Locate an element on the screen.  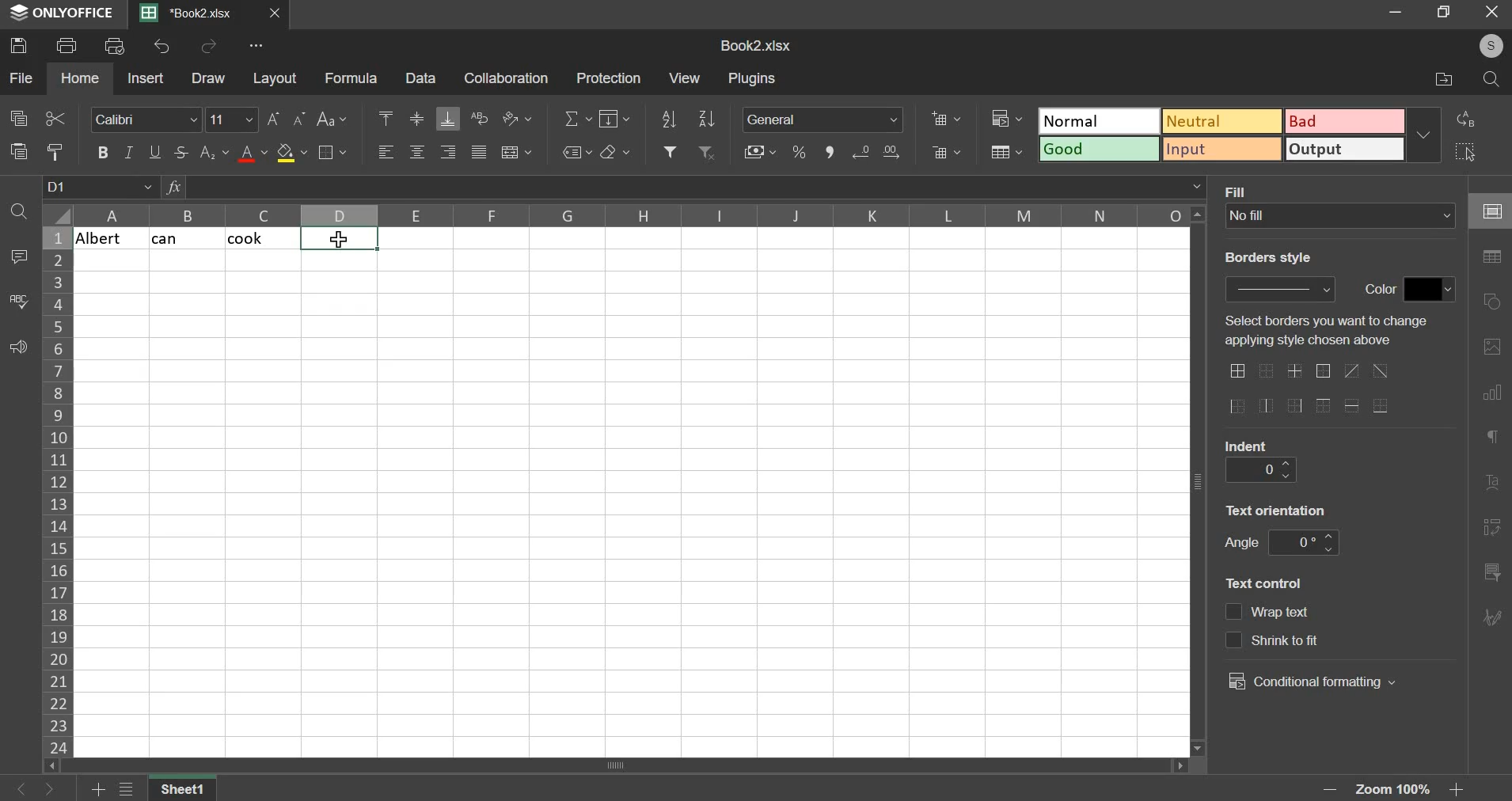
accounting style is located at coordinates (761, 151).